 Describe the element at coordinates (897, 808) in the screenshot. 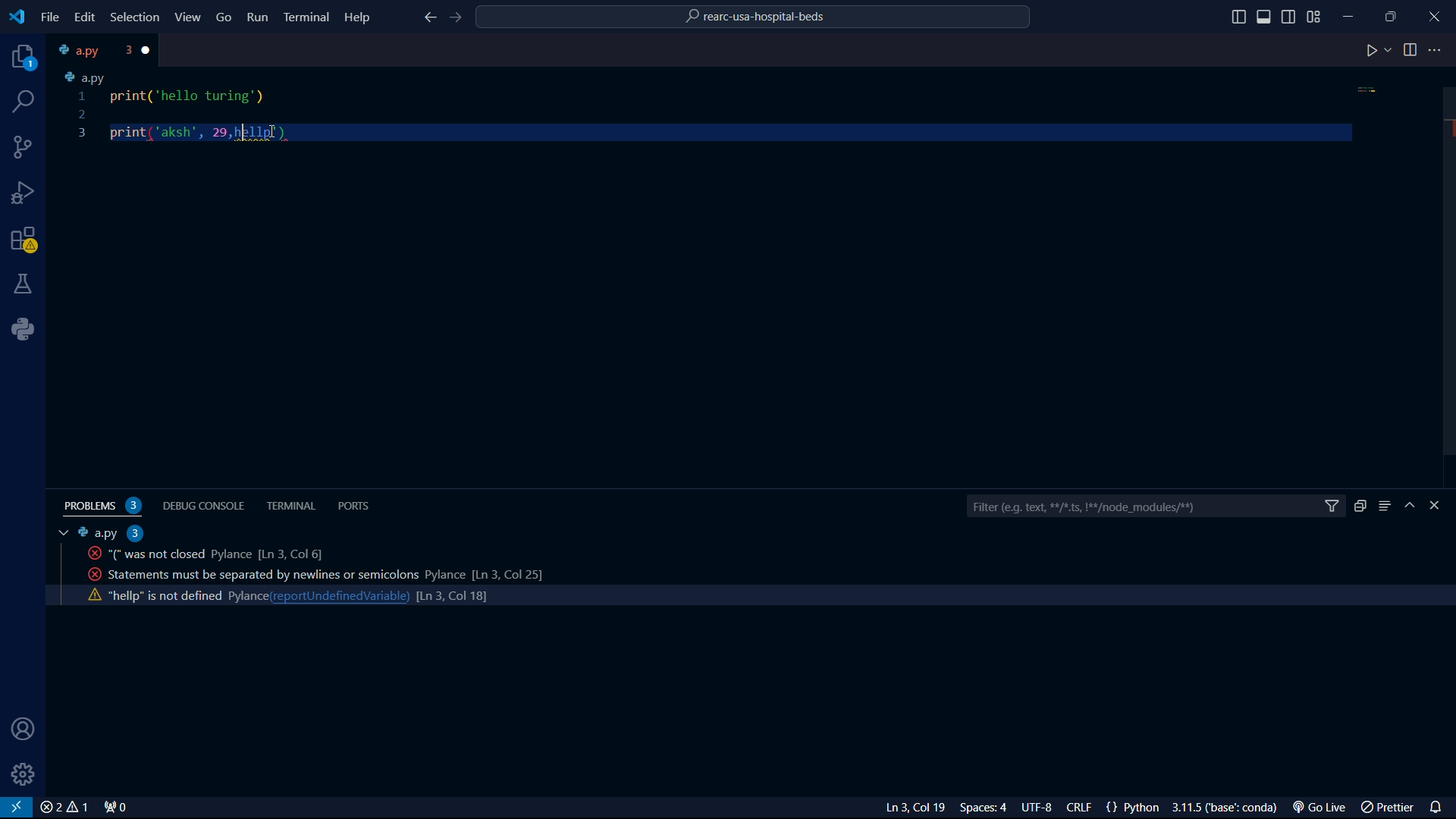

I see `Ln 3 Col 23` at that location.